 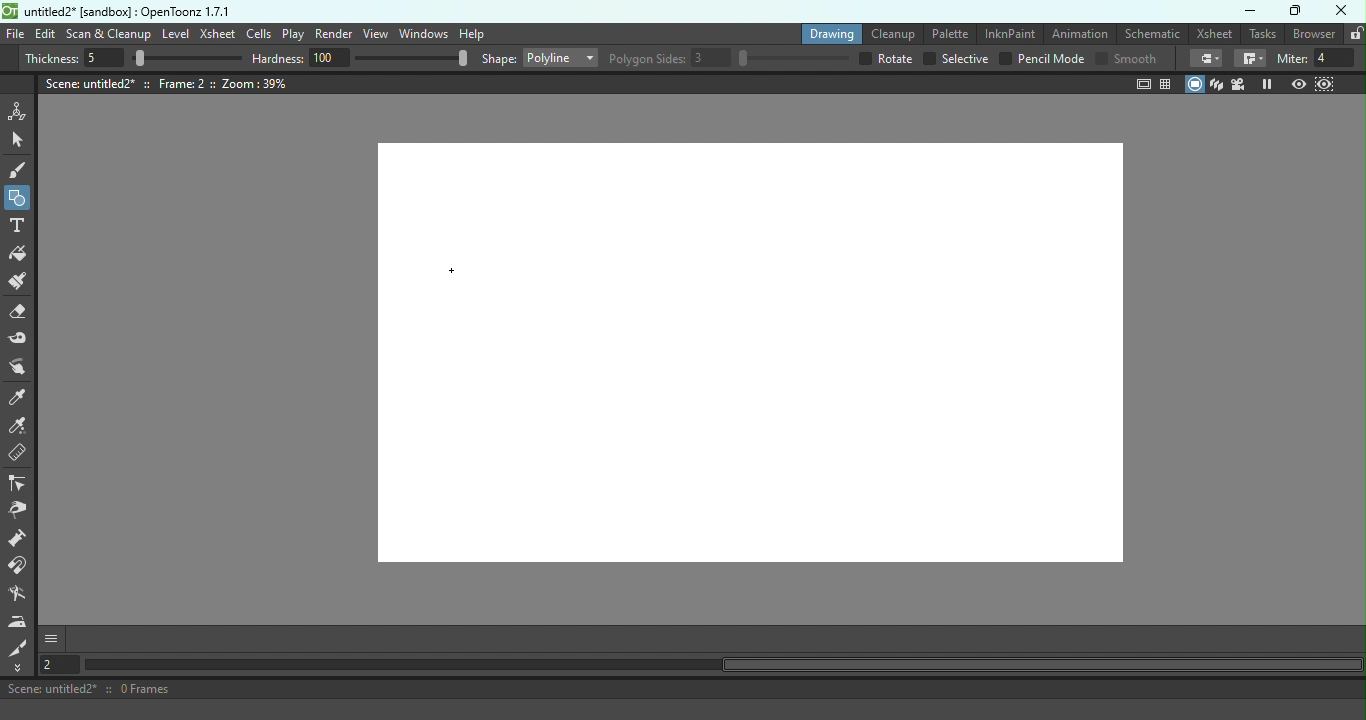 I want to click on fill tool, so click(x=1206, y=59).